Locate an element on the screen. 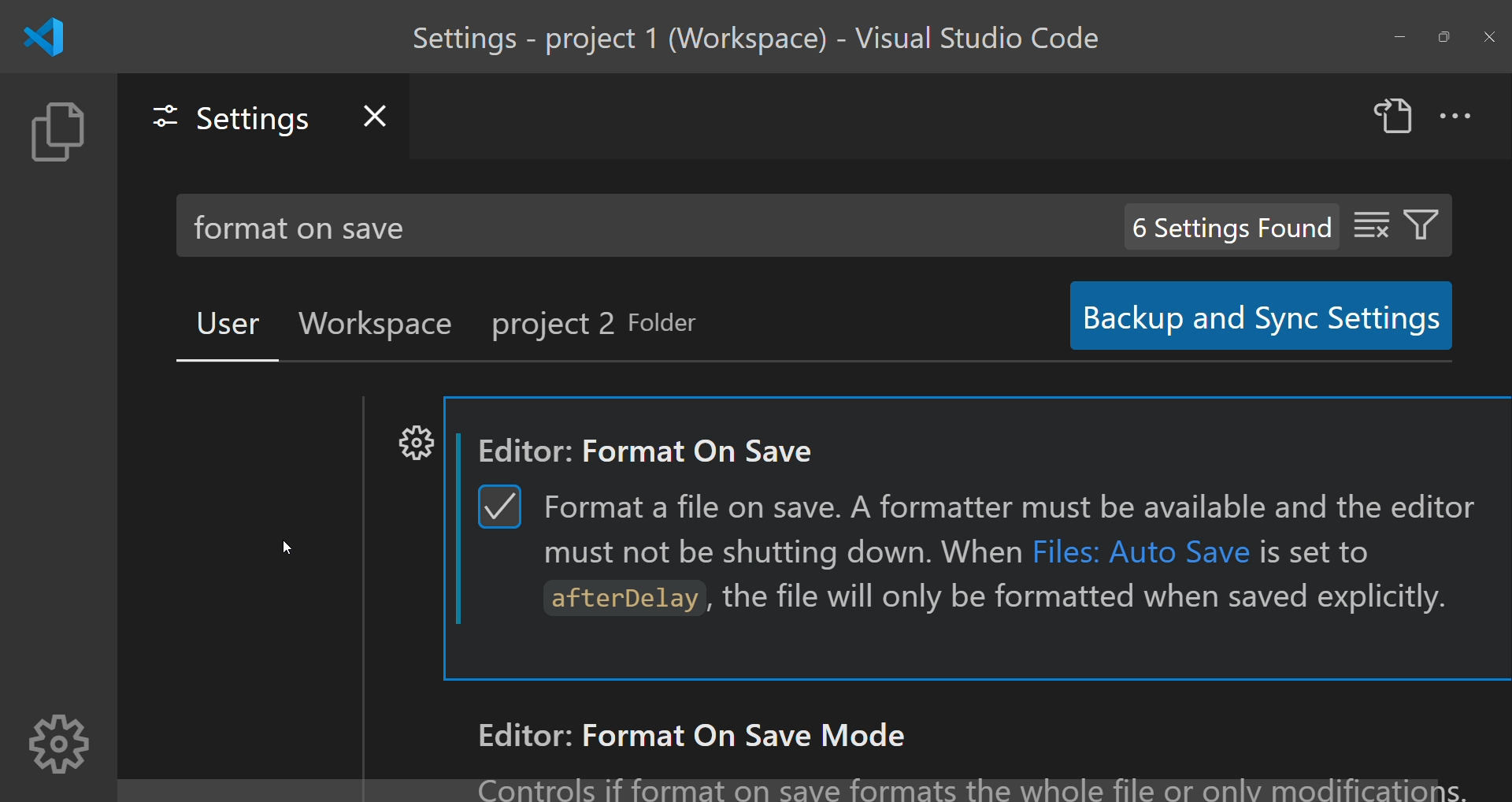 The height and width of the screenshot is (802, 1512). clear setting is located at coordinates (1367, 219).